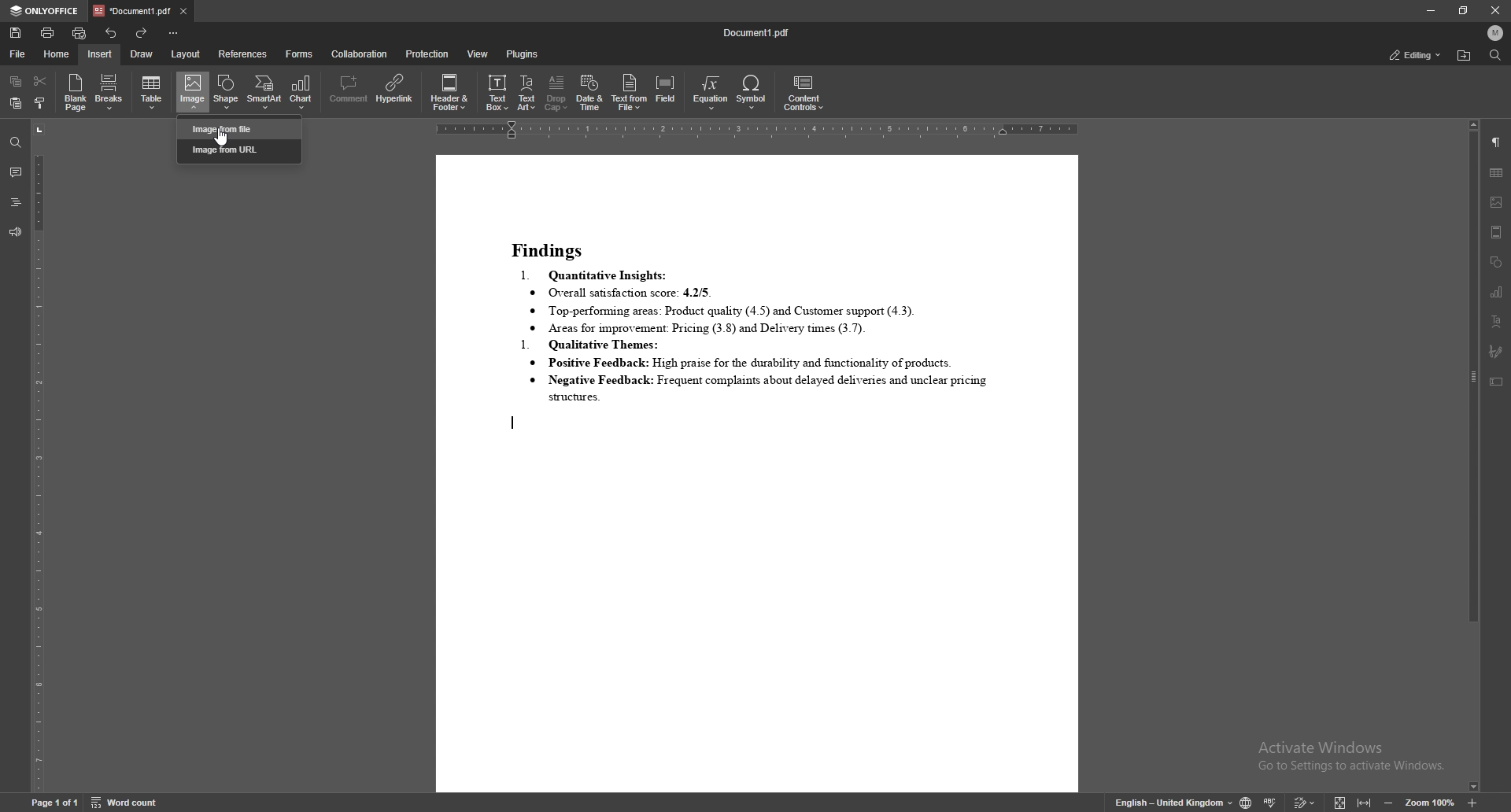  What do you see at coordinates (14, 142) in the screenshot?
I see `find` at bounding box center [14, 142].